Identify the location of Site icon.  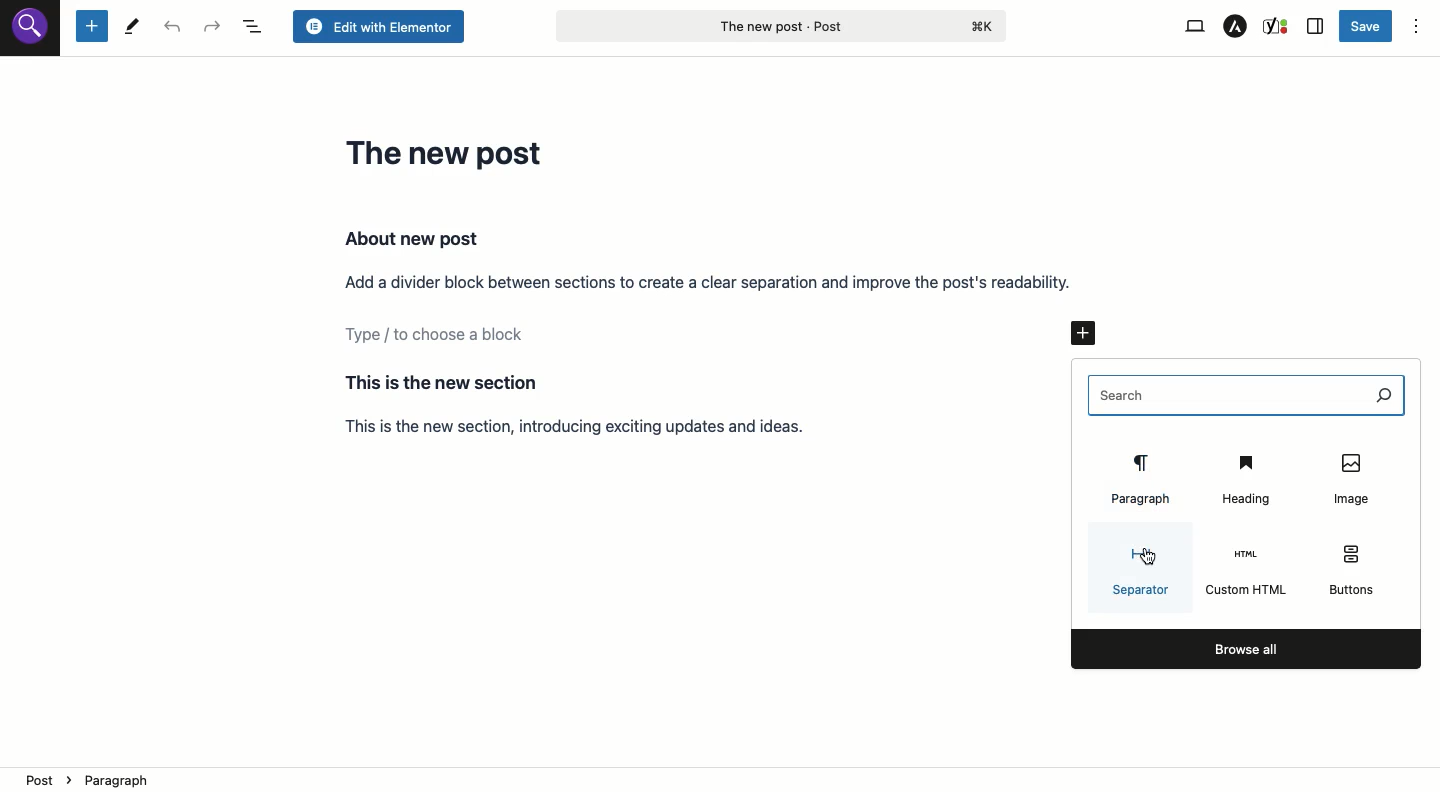
(31, 29).